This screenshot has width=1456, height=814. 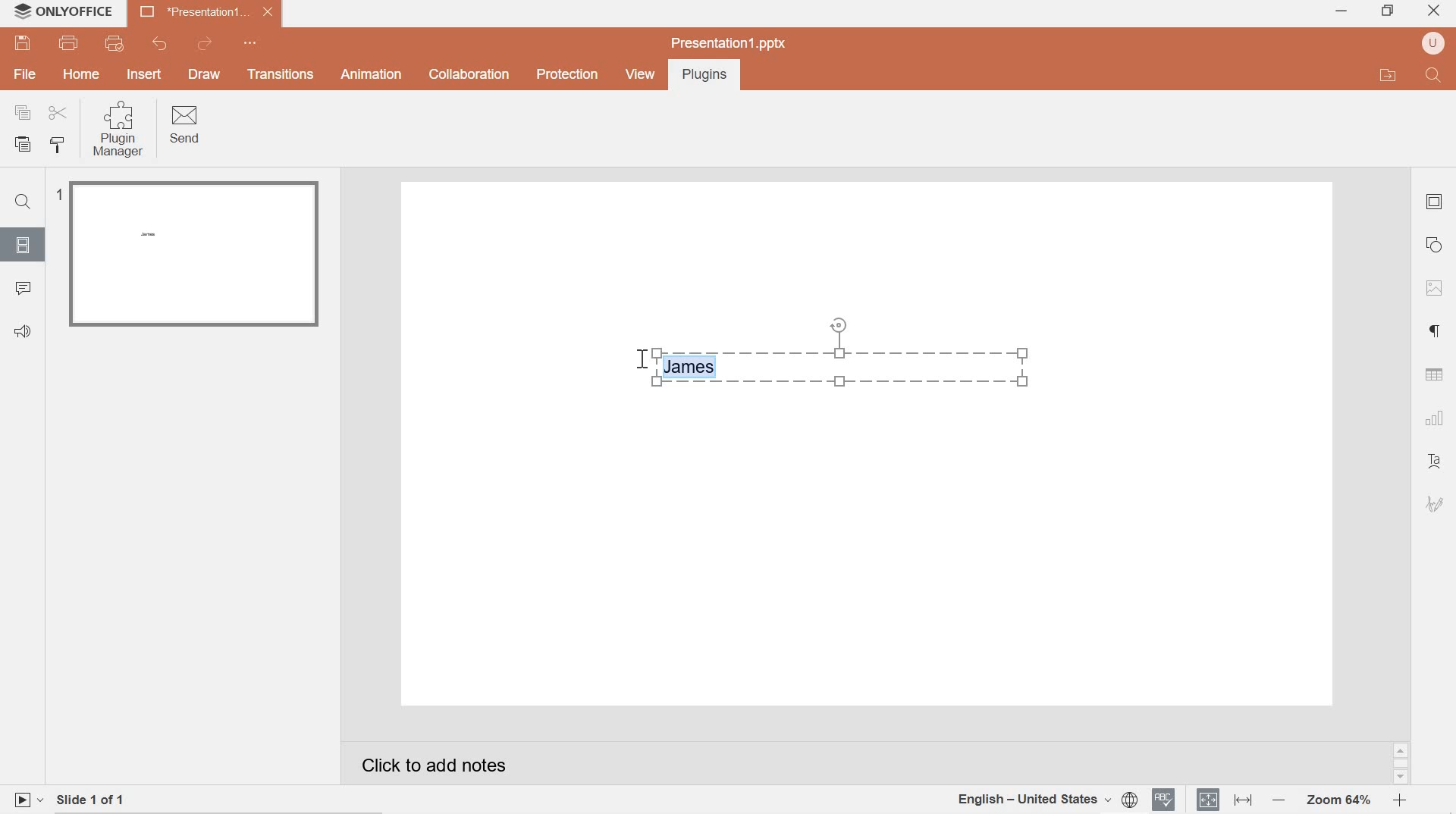 What do you see at coordinates (207, 76) in the screenshot?
I see `DRAW` at bounding box center [207, 76].